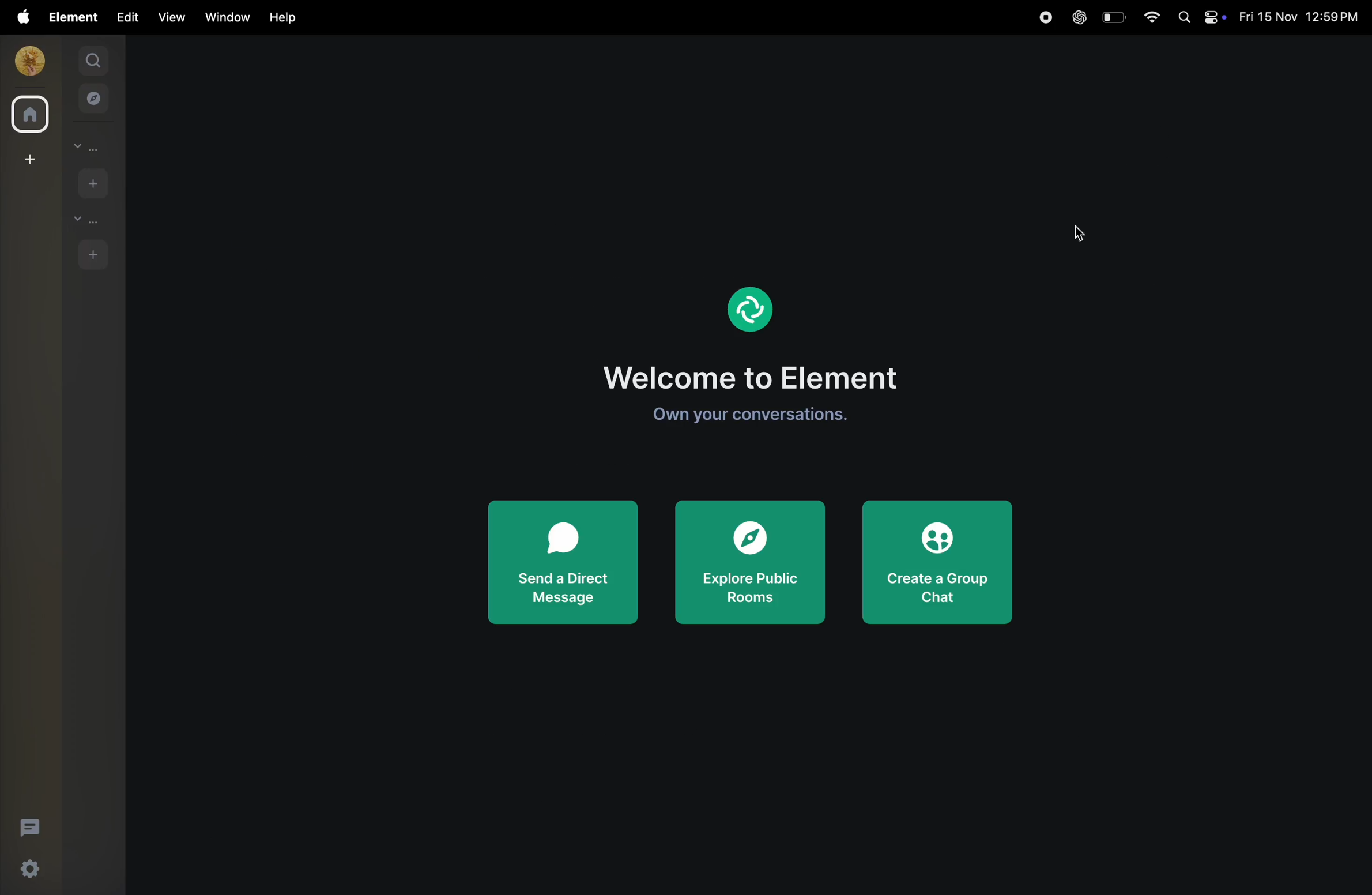  Describe the element at coordinates (61, 61) in the screenshot. I see `expand` at that location.